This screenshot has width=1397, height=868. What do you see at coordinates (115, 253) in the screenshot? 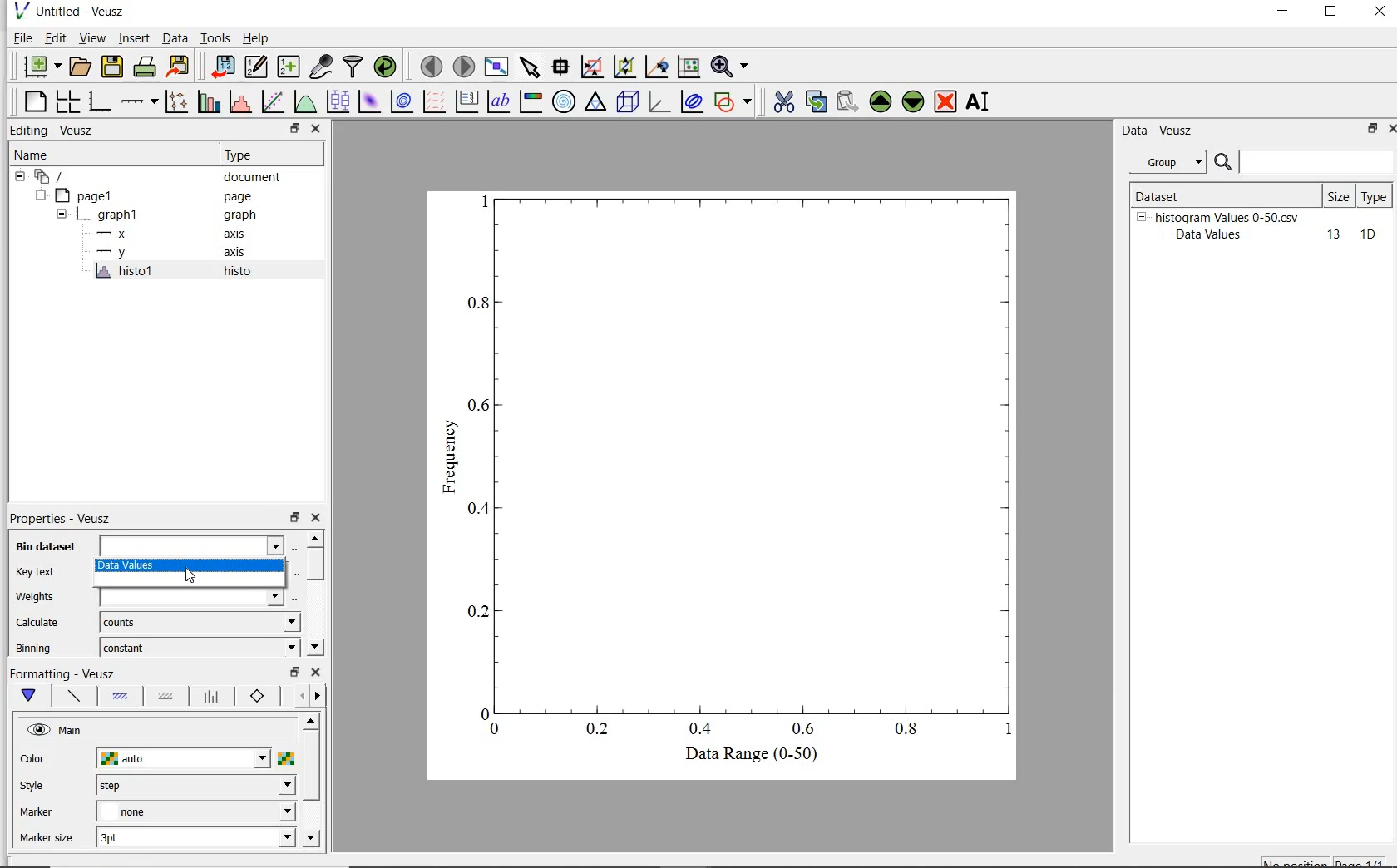
I see `y-axis` at bounding box center [115, 253].